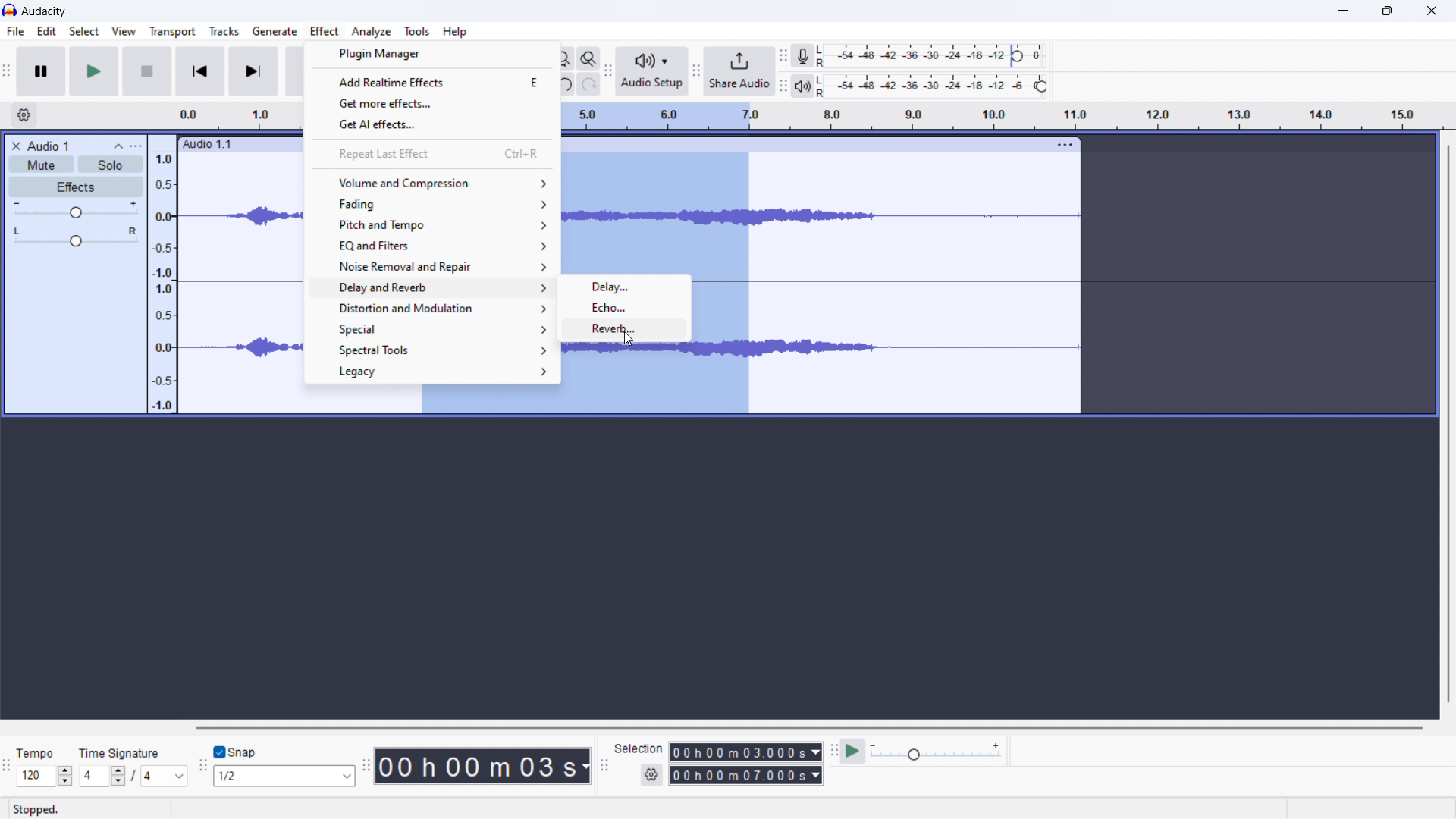 The width and height of the screenshot is (1456, 819). Describe the element at coordinates (784, 86) in the screenshot. I see `playback meter toolbar` at that location.